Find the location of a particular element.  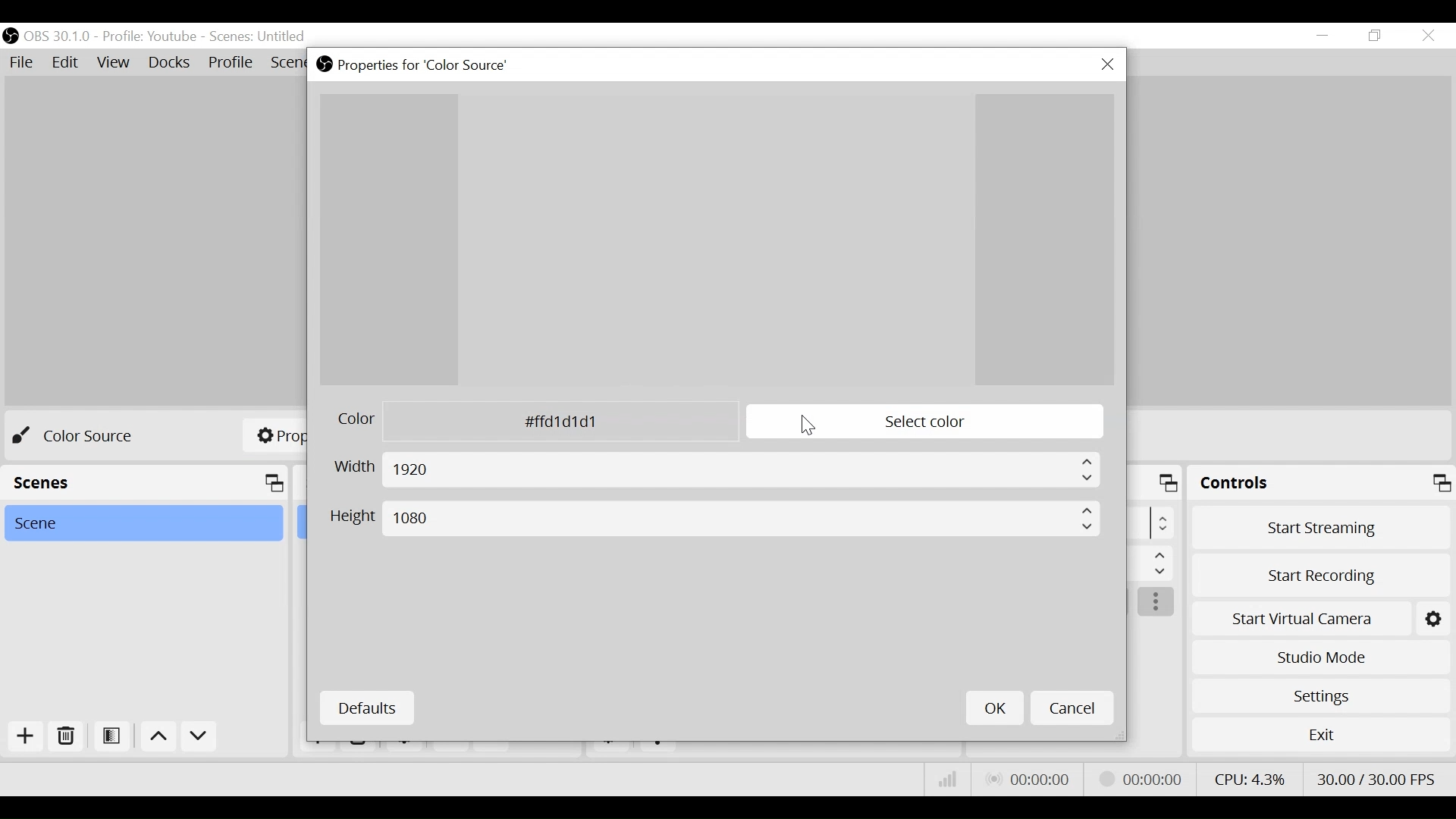

Add is located at coordinates (26, 736).